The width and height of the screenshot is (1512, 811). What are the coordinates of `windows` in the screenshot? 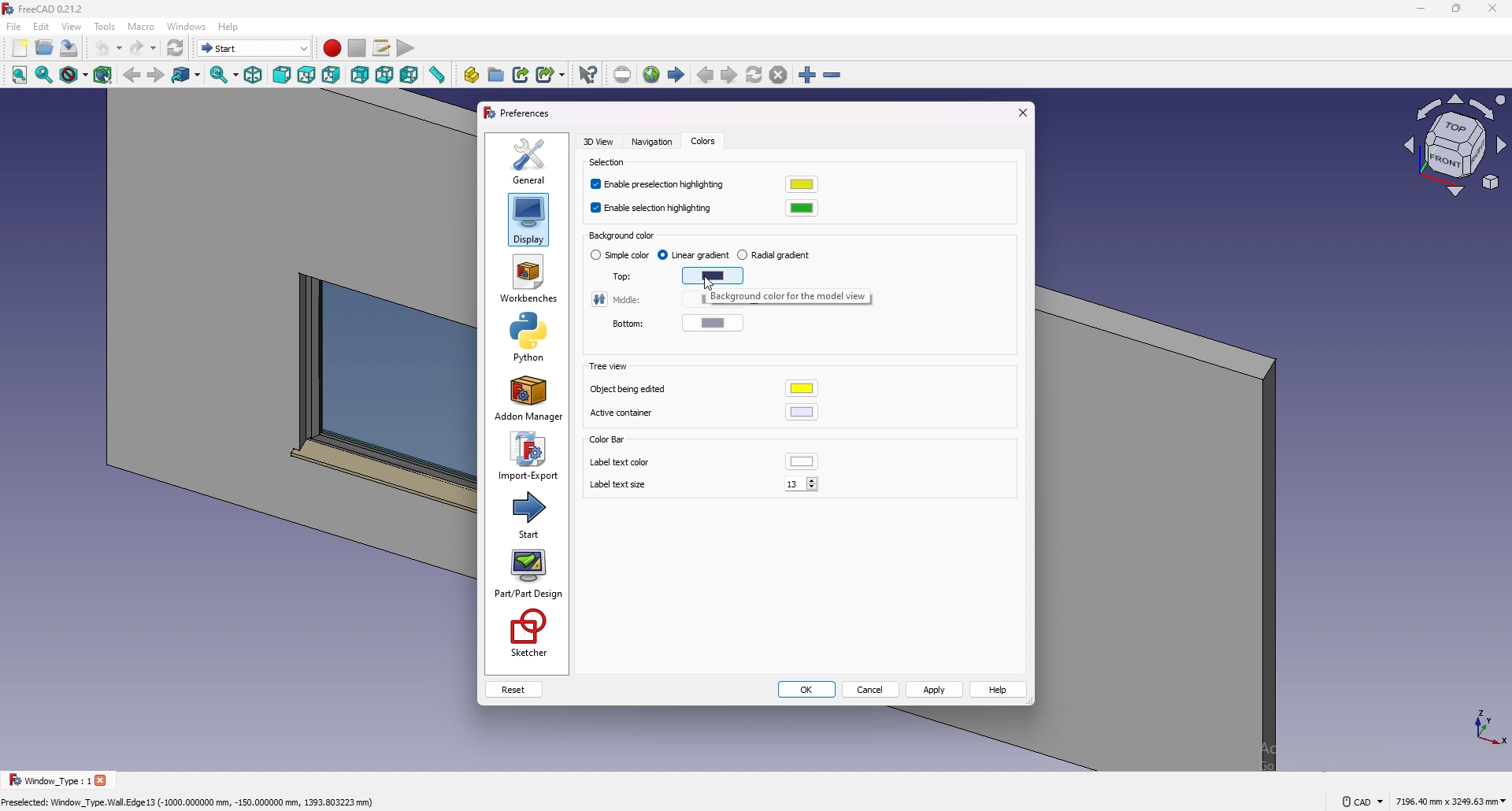 It's located at (187, 26).